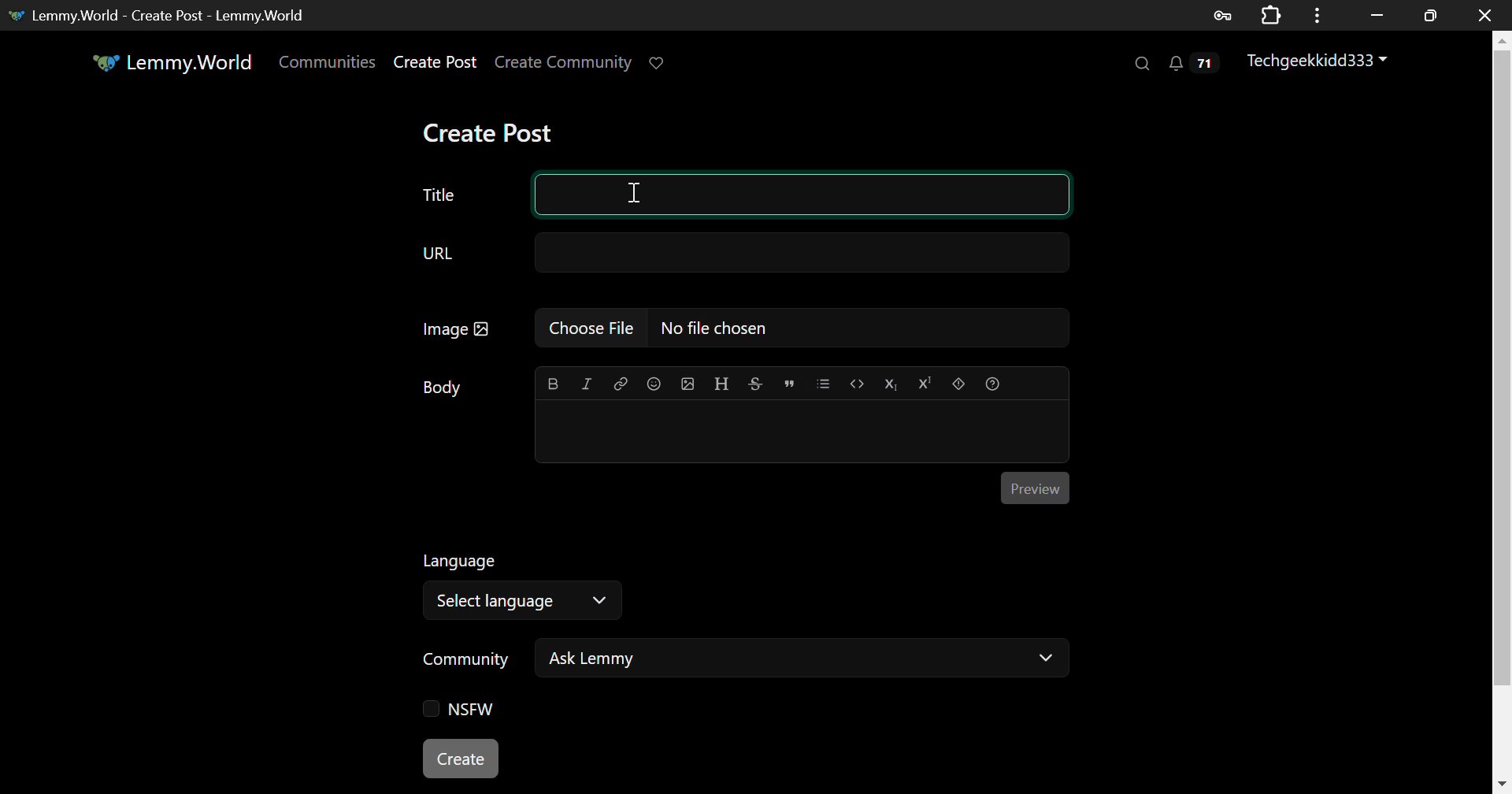 The width and height of the screenshot is (1512, 794). Describe the element at coordinates (722, 384) in the screenshot. I see `Header` at that location.